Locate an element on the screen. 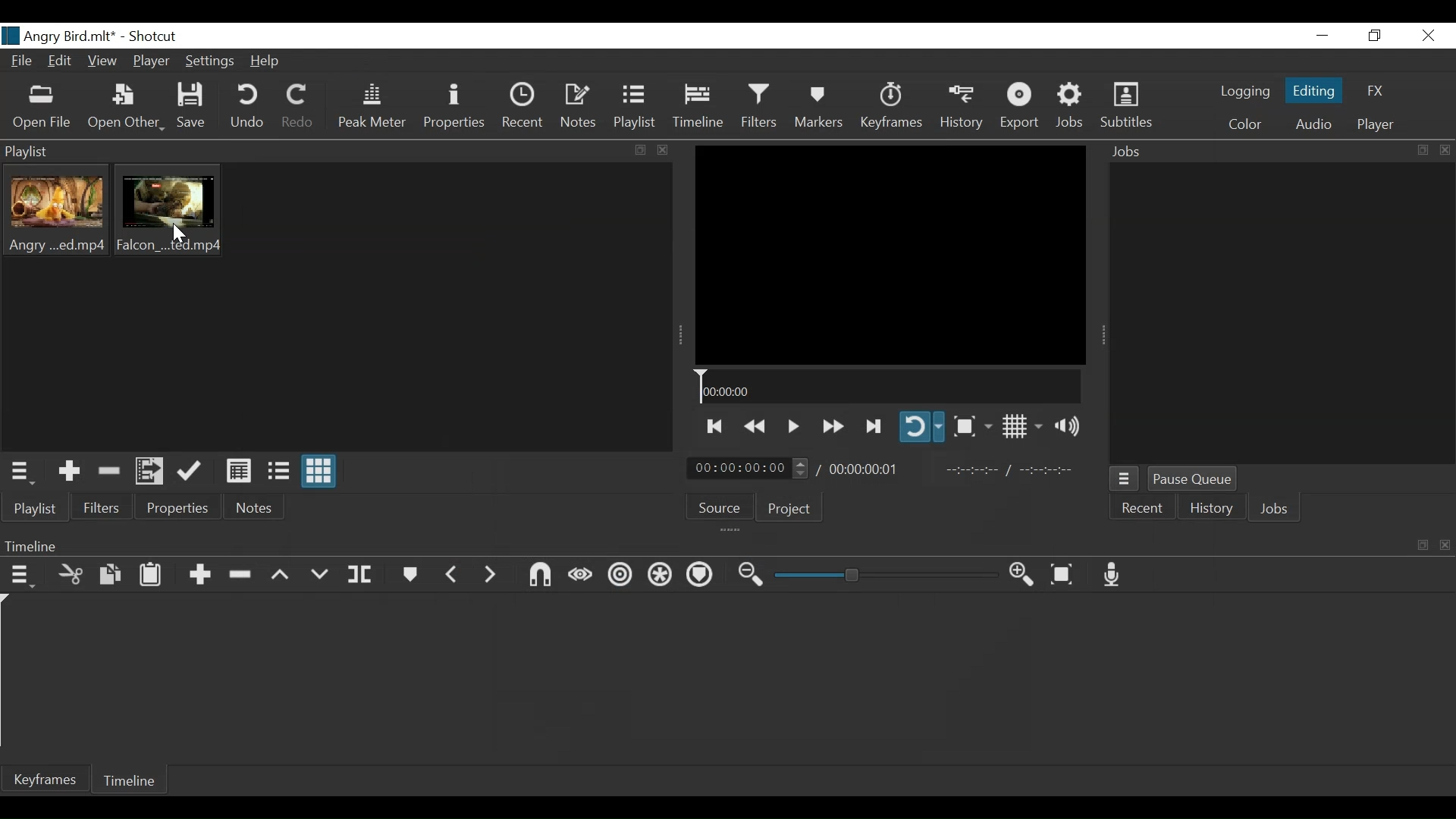  Edit is located at coordinates (62, 62).